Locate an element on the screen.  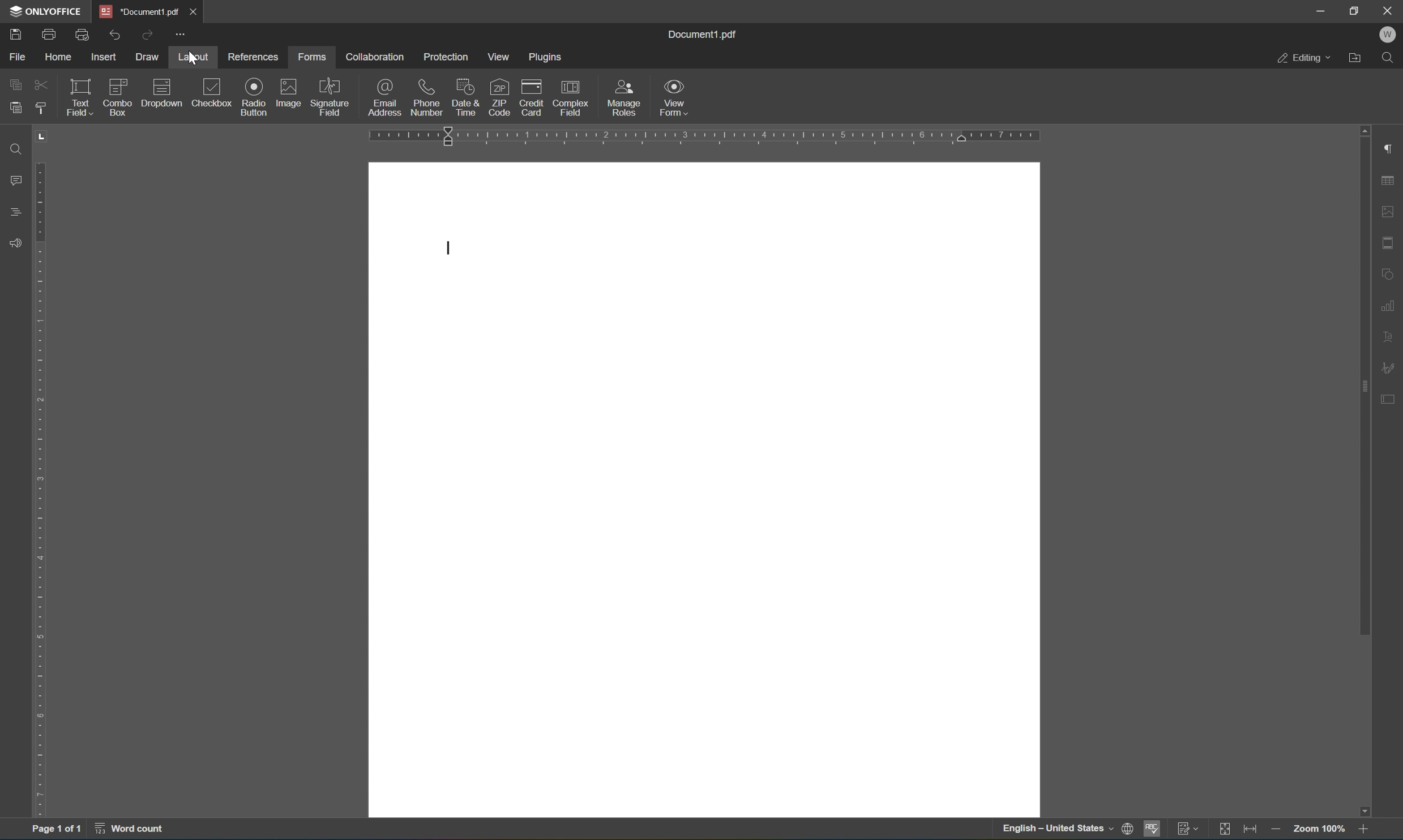
print preview is located at coordinates (83, 33).